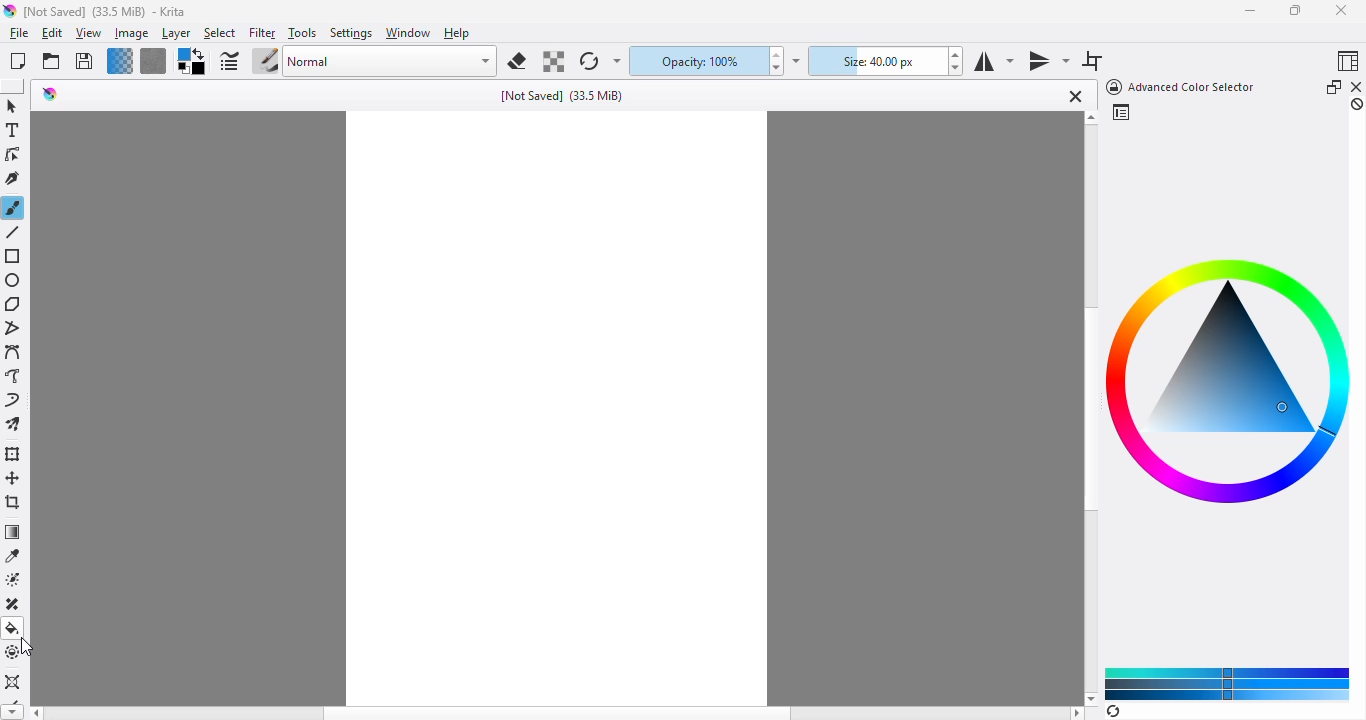 The height and width of the screenshot is (720, 1366). I want to click on cursor, so click(27, 645).